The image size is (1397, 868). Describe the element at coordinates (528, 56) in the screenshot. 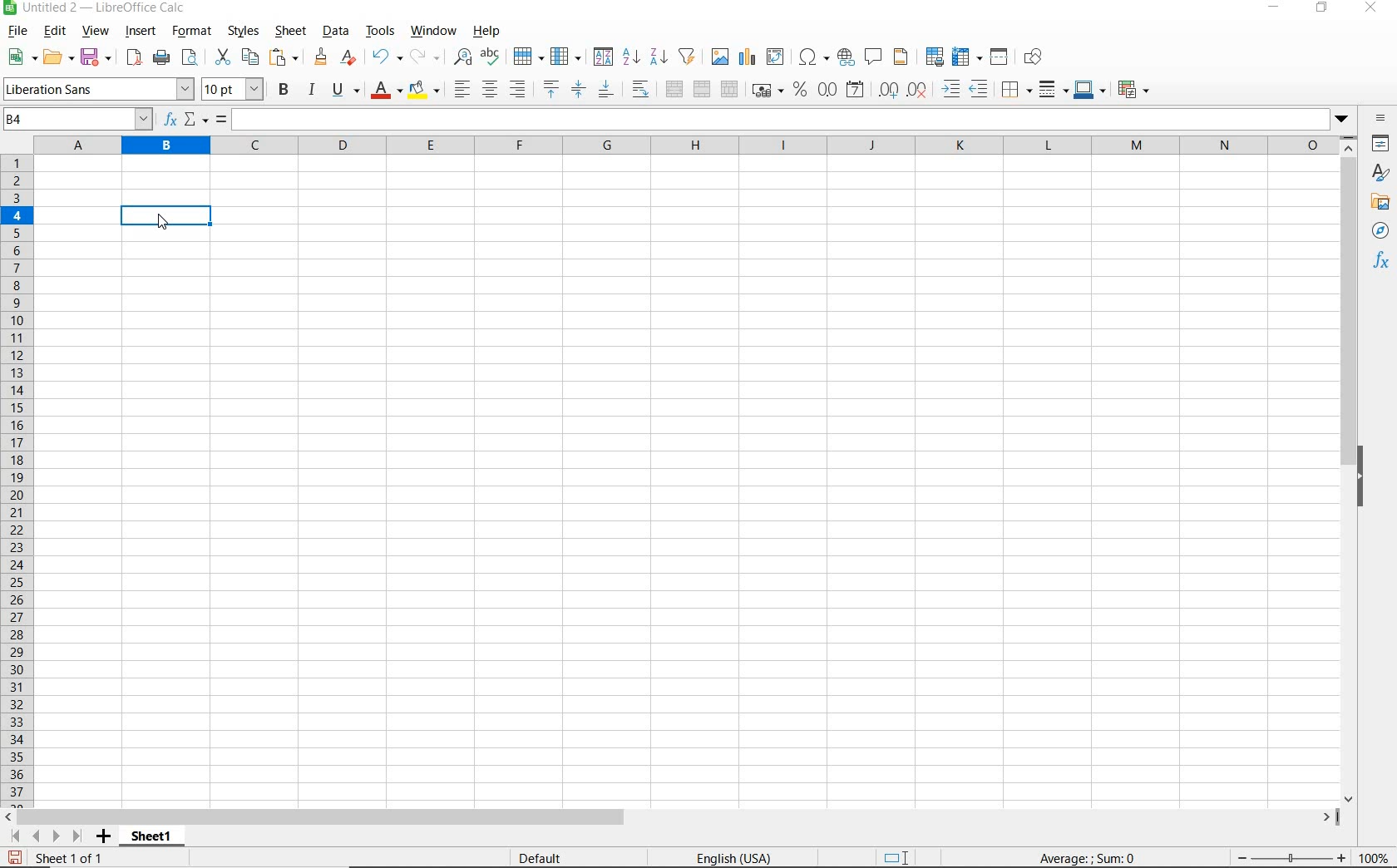

I see `row` at that location.